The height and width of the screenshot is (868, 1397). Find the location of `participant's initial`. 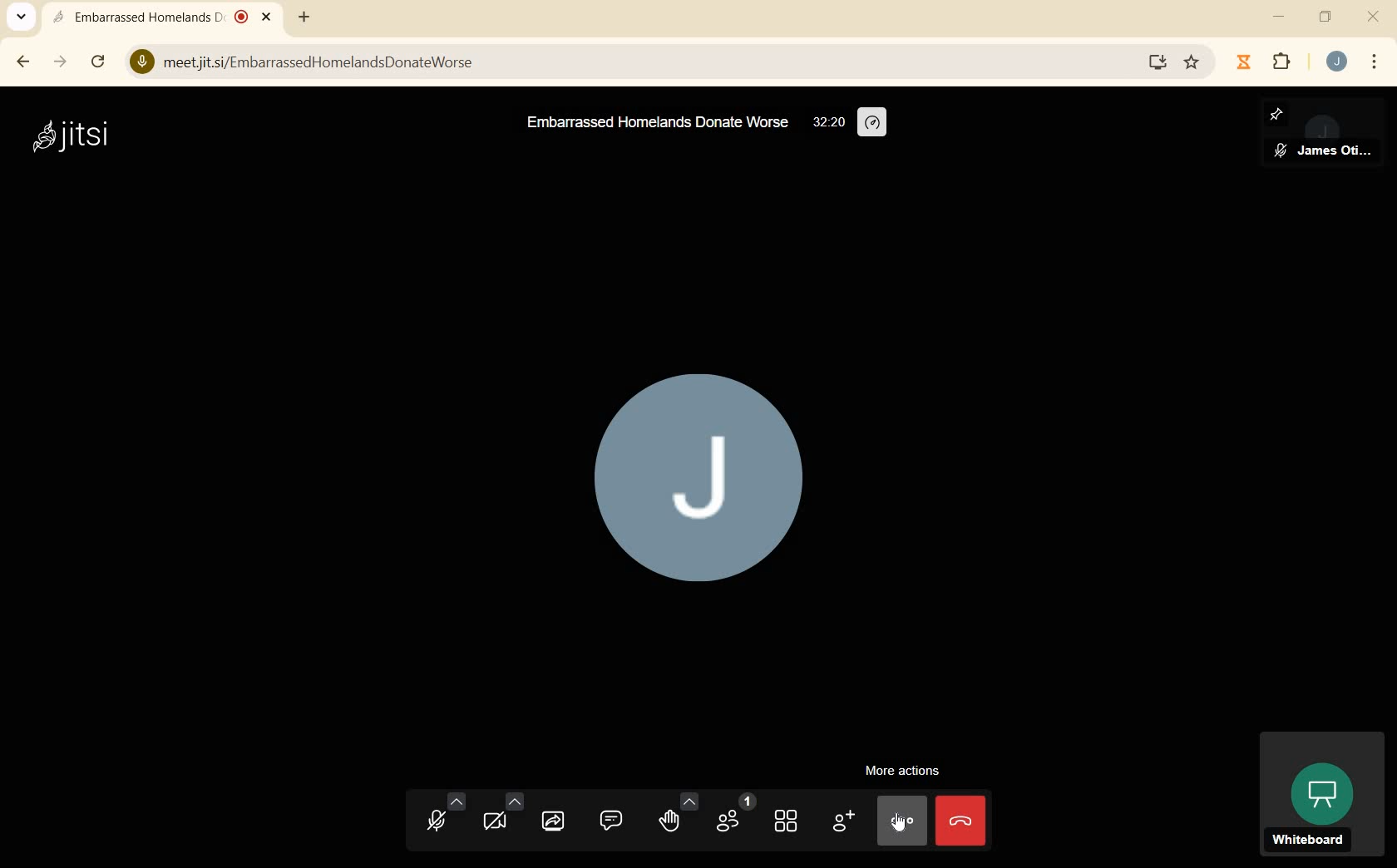

participant's initial is located at coordinates (697, 486).